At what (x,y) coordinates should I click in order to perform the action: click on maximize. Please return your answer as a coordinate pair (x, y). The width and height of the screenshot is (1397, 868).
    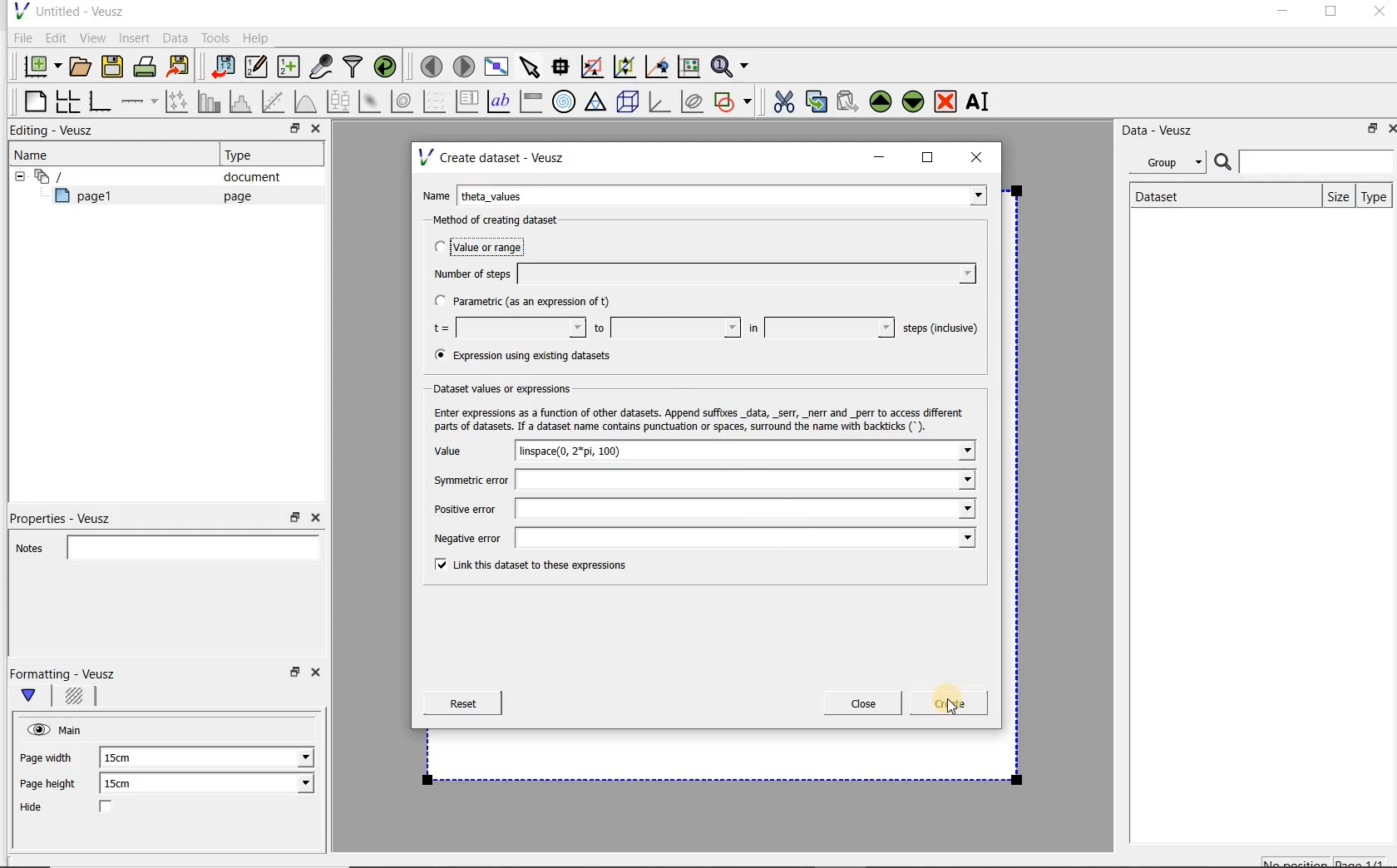
    Looking at the image, I should click on (928, 158).